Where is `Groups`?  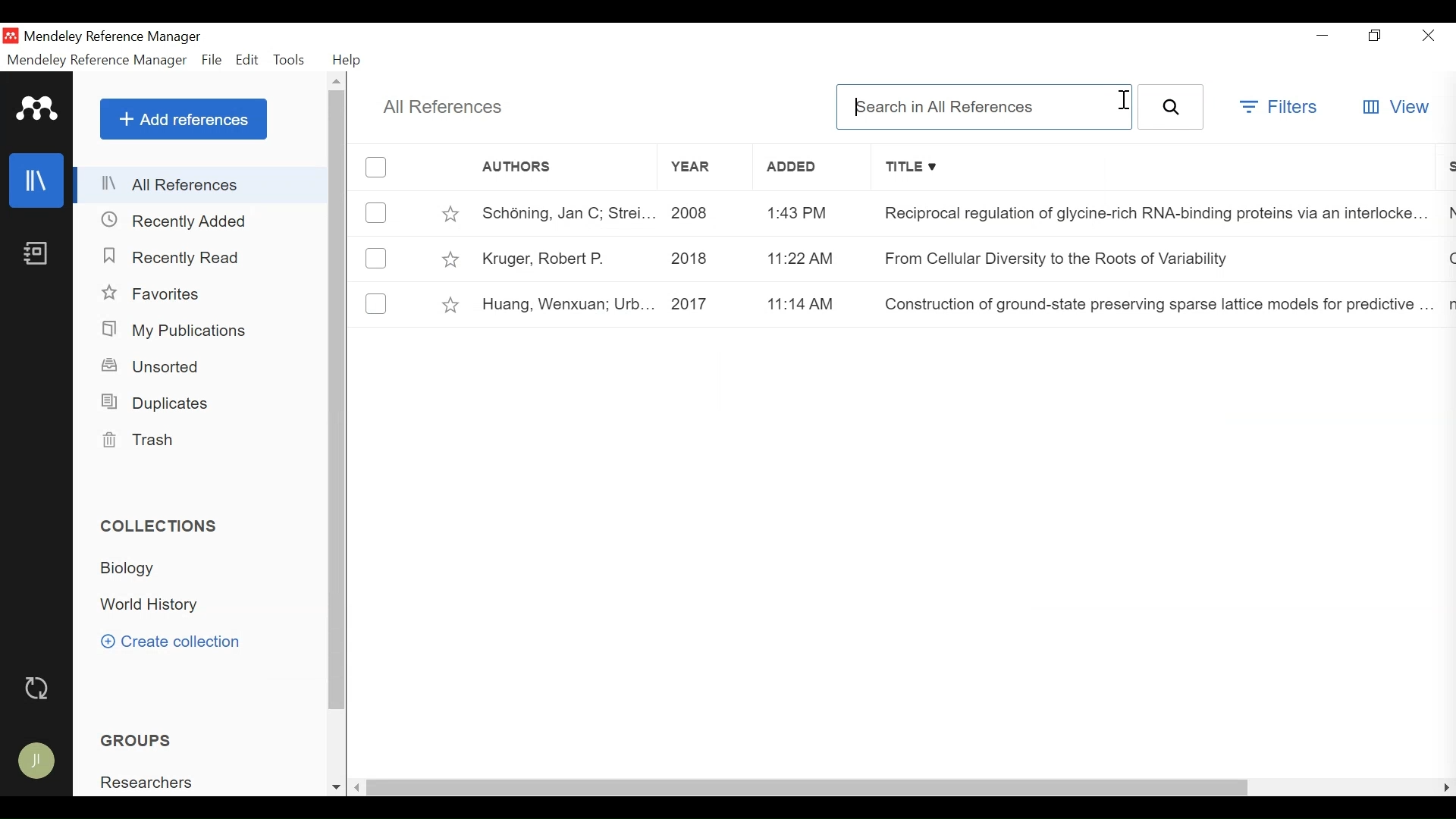
Groups is located at coordinates (135, 740).